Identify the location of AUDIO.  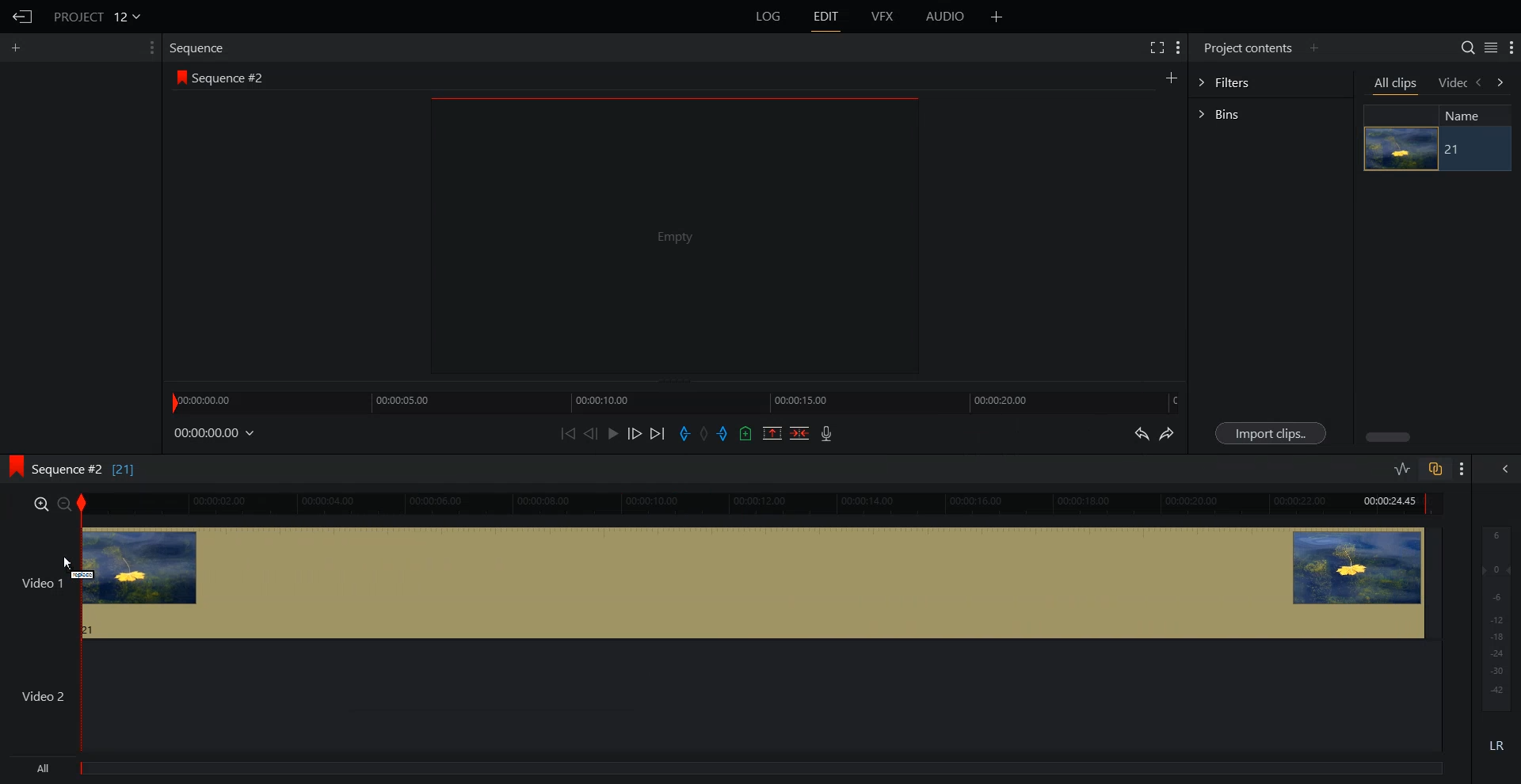
(946, 17).